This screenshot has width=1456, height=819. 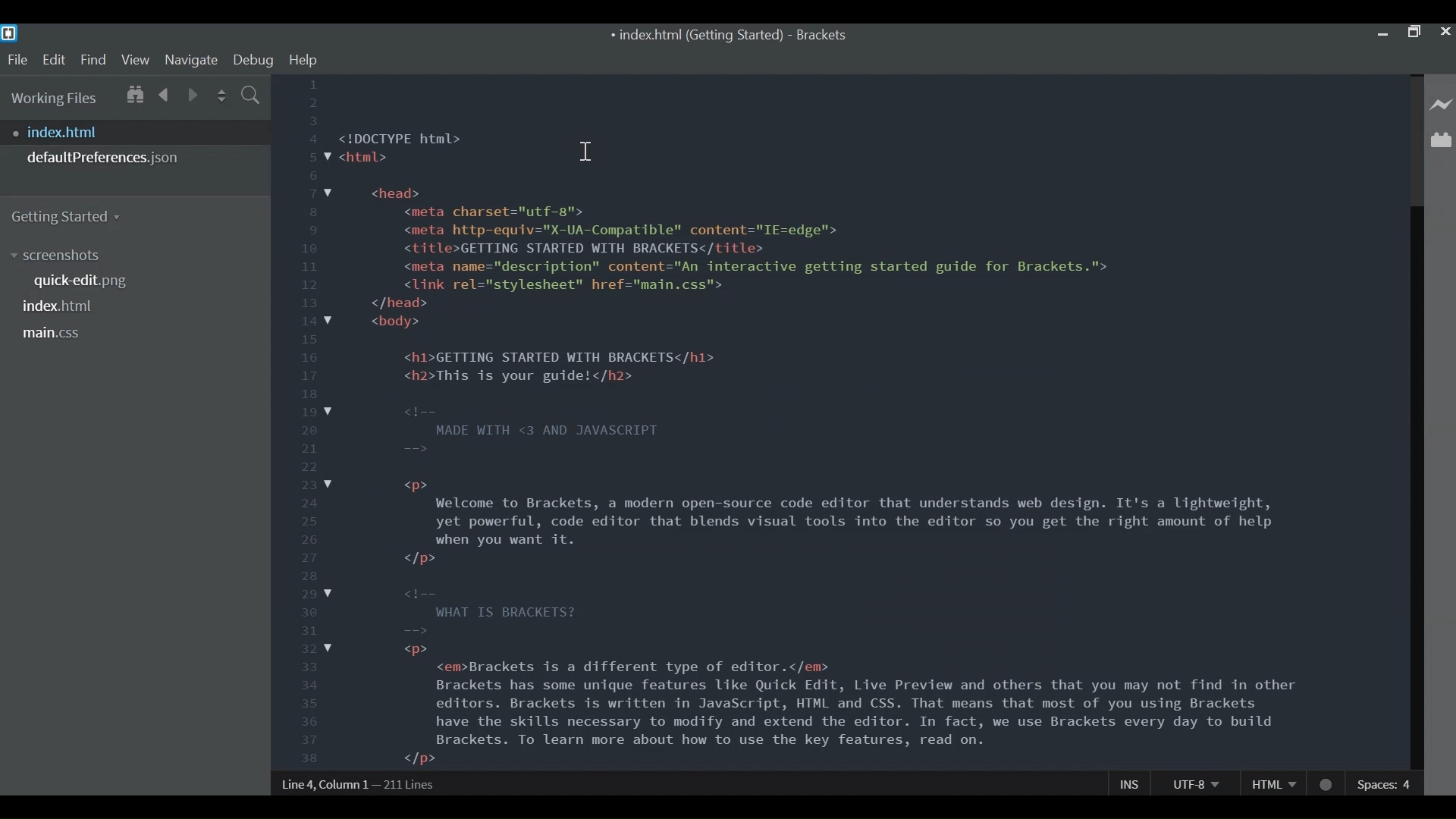 What do you see at coordinates (1386, 783) in the screenshot?
I see `Spaces: 4` at bounding box center [1386, 783].